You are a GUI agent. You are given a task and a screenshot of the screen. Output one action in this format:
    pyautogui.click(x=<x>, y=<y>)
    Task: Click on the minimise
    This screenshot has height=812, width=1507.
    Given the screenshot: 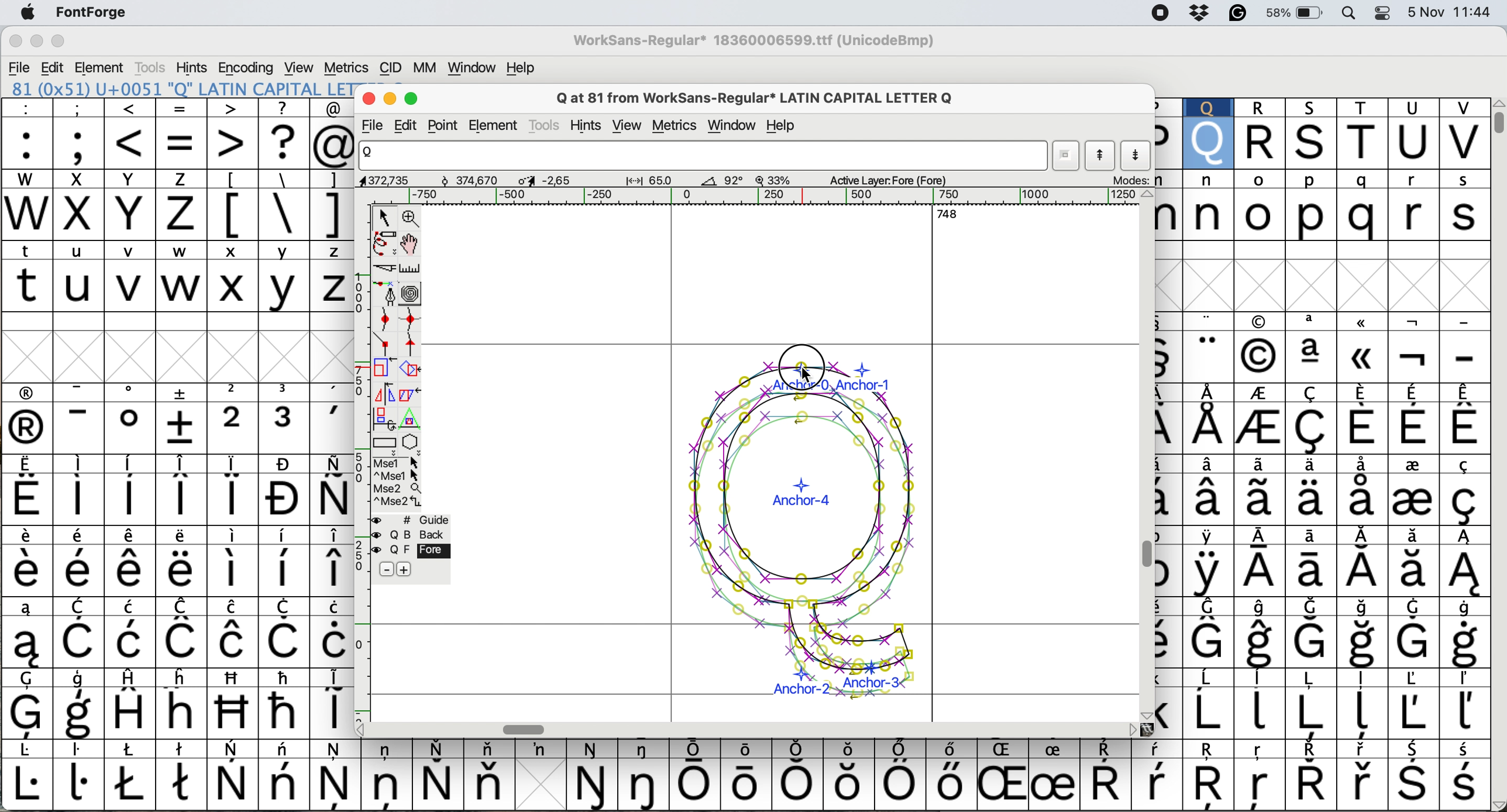 What is the action you would take?
    pyautogui.click(x=33, y=40)
    